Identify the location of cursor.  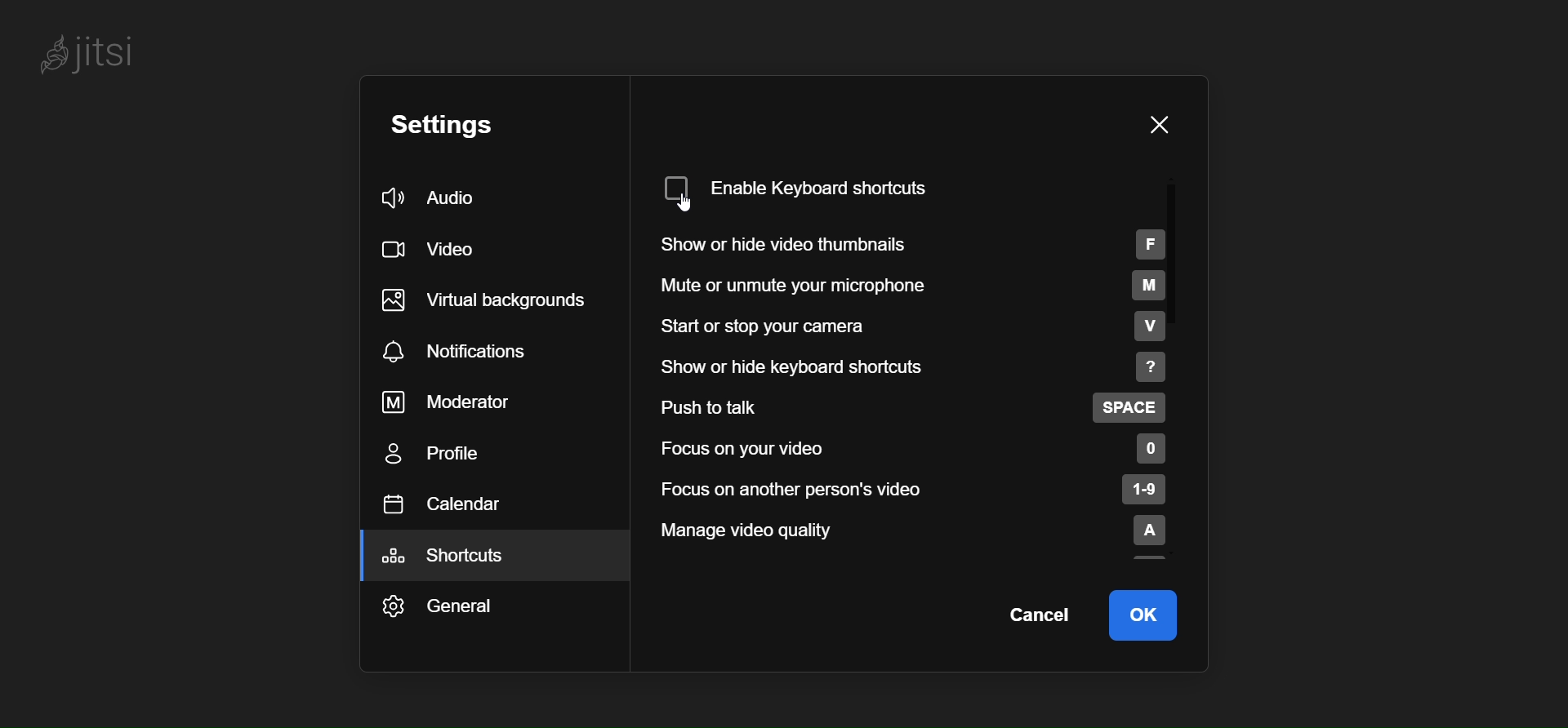
(686, 202).